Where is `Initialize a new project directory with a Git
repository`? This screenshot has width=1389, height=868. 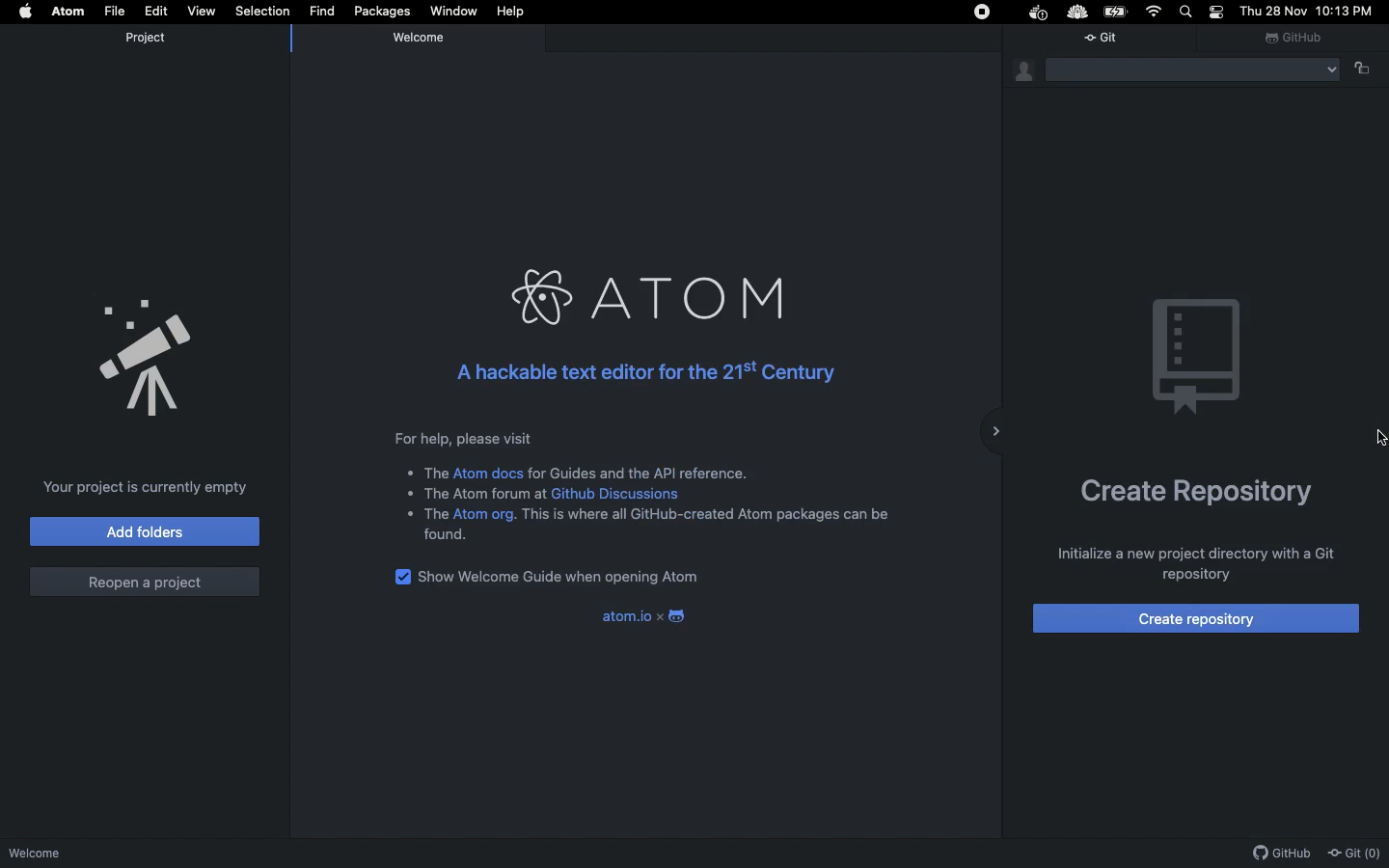
Initialize a new project directory with a Git
repository is located at coordinates (1194, 562).